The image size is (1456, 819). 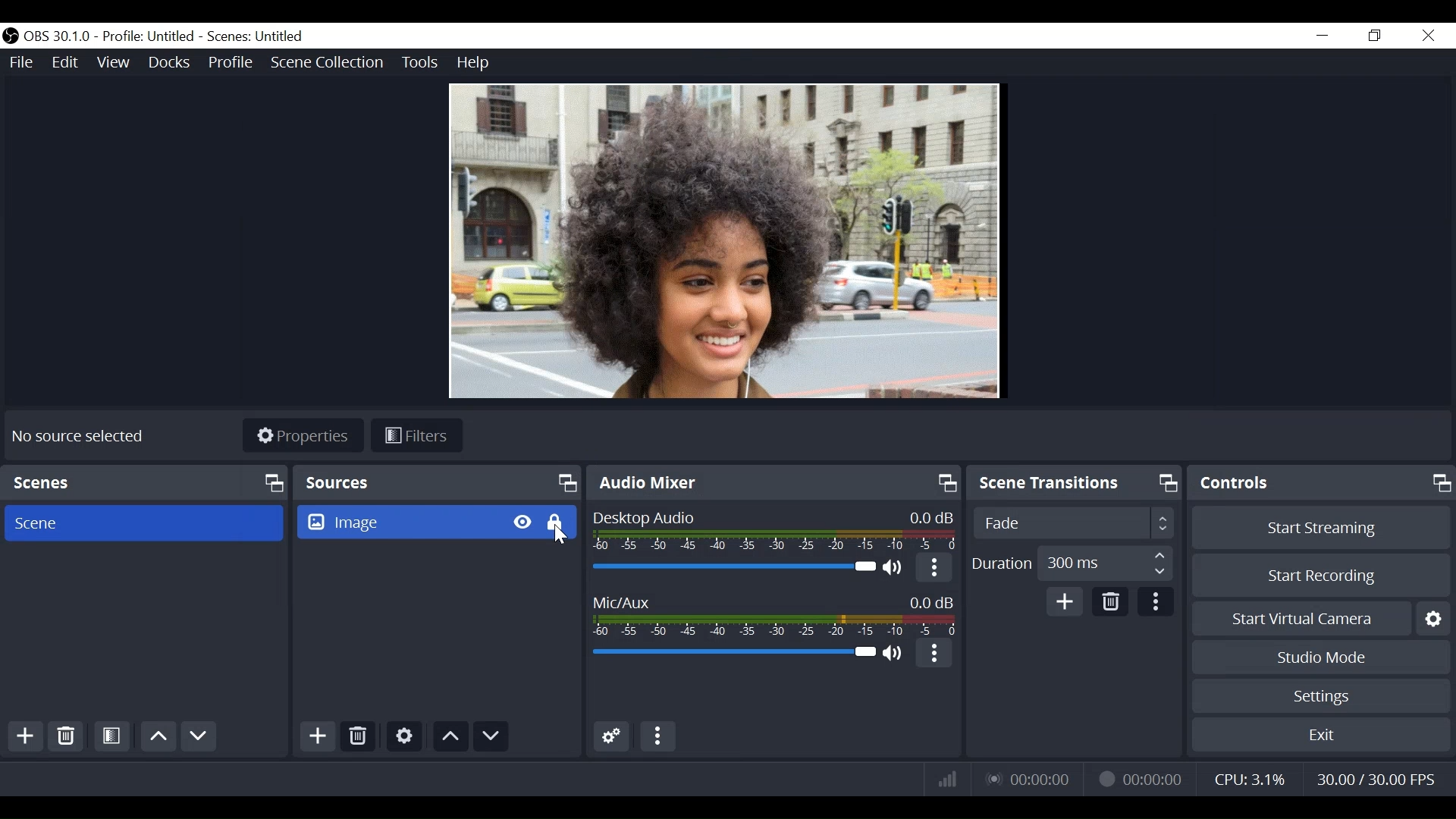 I want to click on Move Up, so click(x=158, y=736).